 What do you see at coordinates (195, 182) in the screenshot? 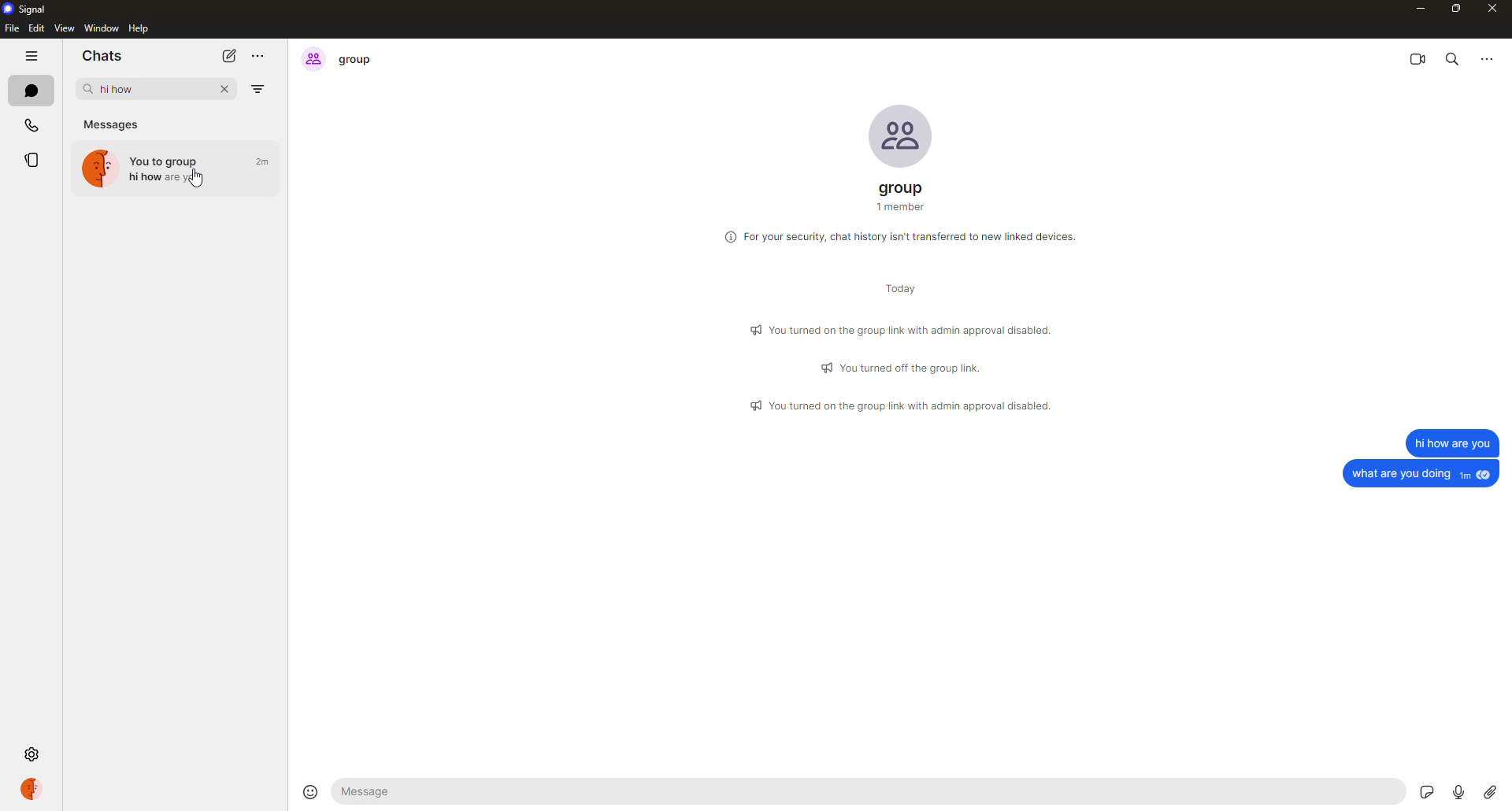
I see `cursor` at bounding box center [195, 182].